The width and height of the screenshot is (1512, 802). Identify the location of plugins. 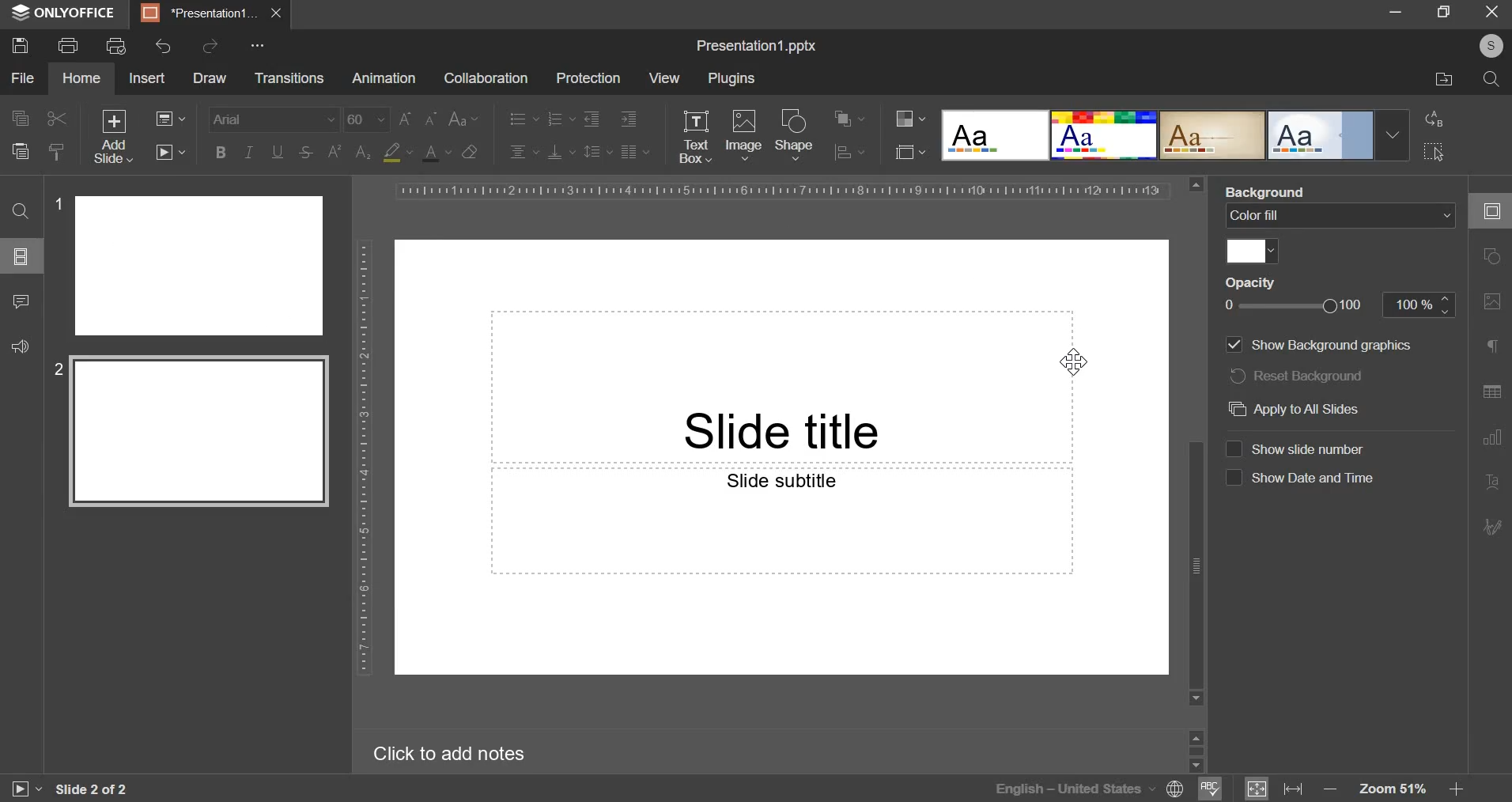
(731, 79).